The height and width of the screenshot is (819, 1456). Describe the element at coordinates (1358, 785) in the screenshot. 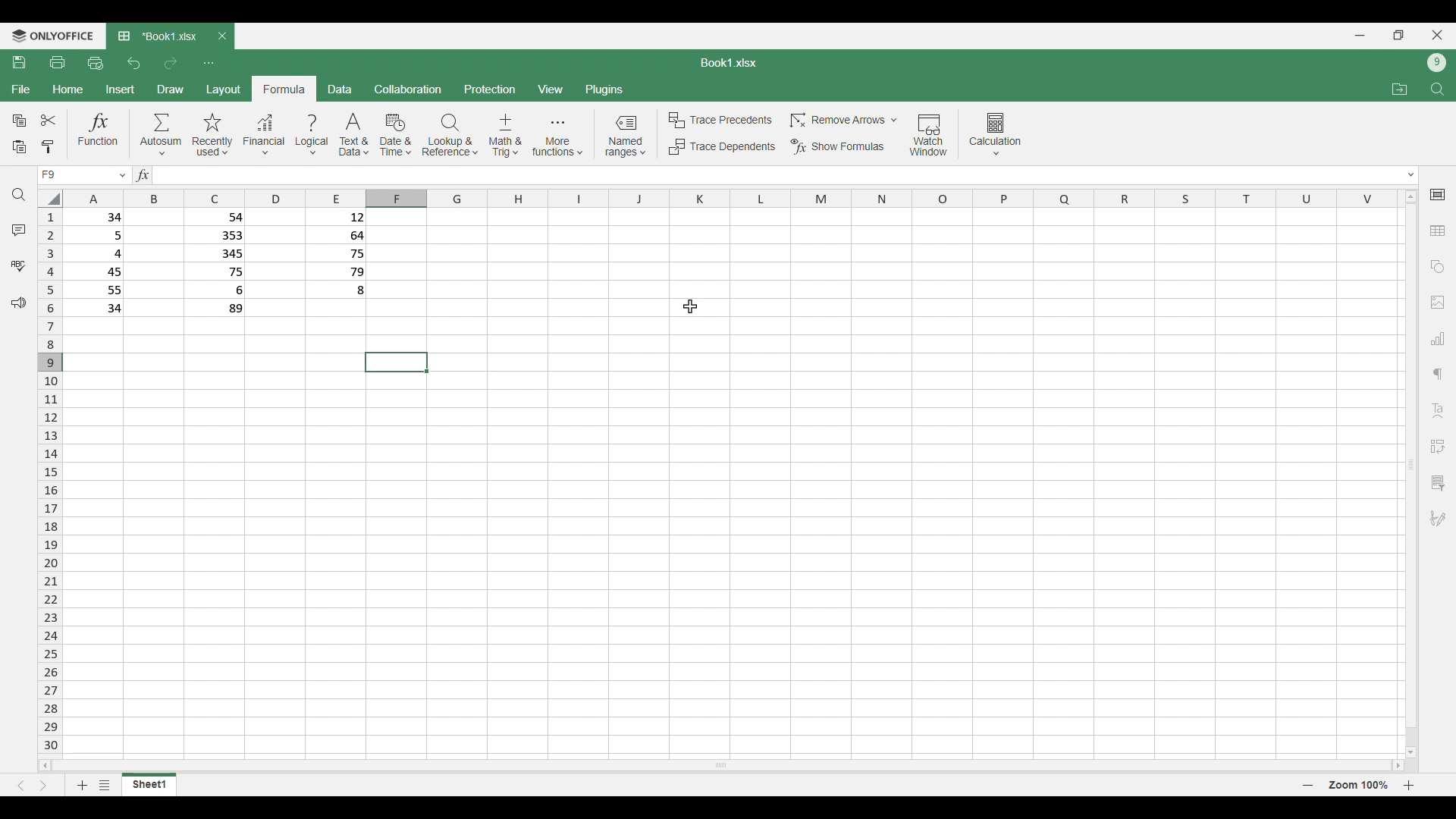

I see `Current zoom factor` at that location.